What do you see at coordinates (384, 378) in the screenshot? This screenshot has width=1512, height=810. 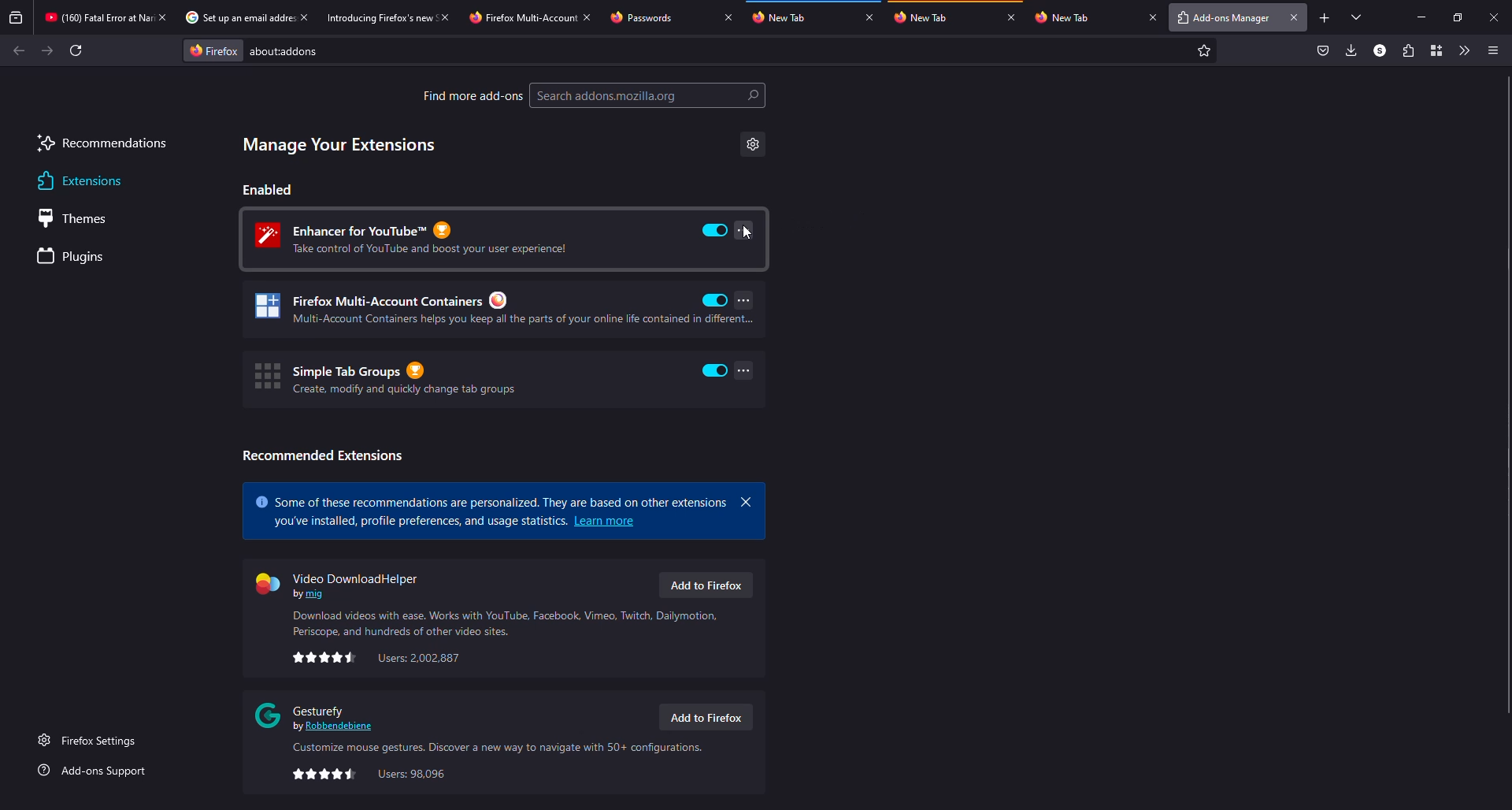 I see `simple tab groups` at bounding box center [384, 378].